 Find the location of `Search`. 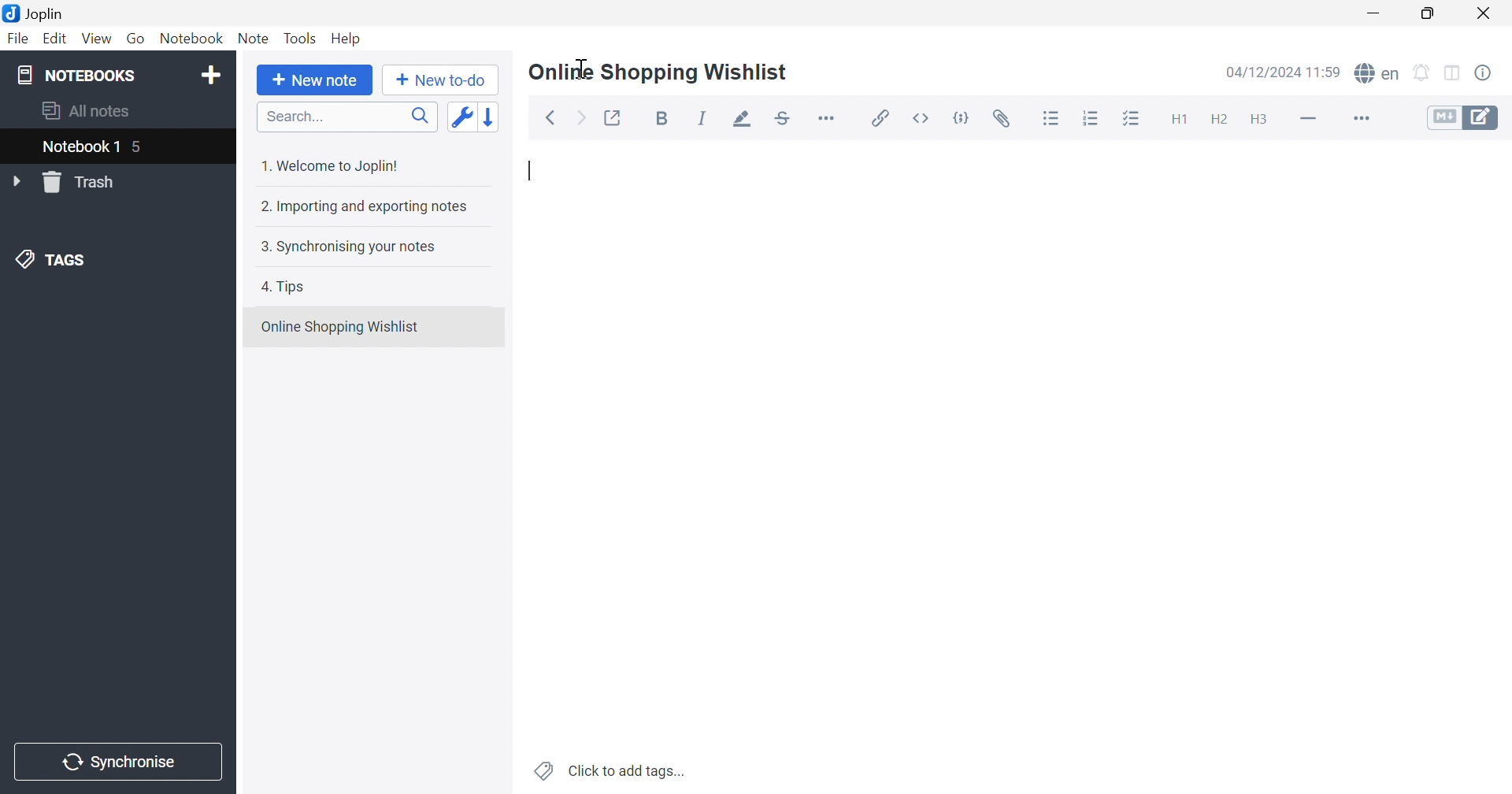

Search is located at coordinates (348, 117).